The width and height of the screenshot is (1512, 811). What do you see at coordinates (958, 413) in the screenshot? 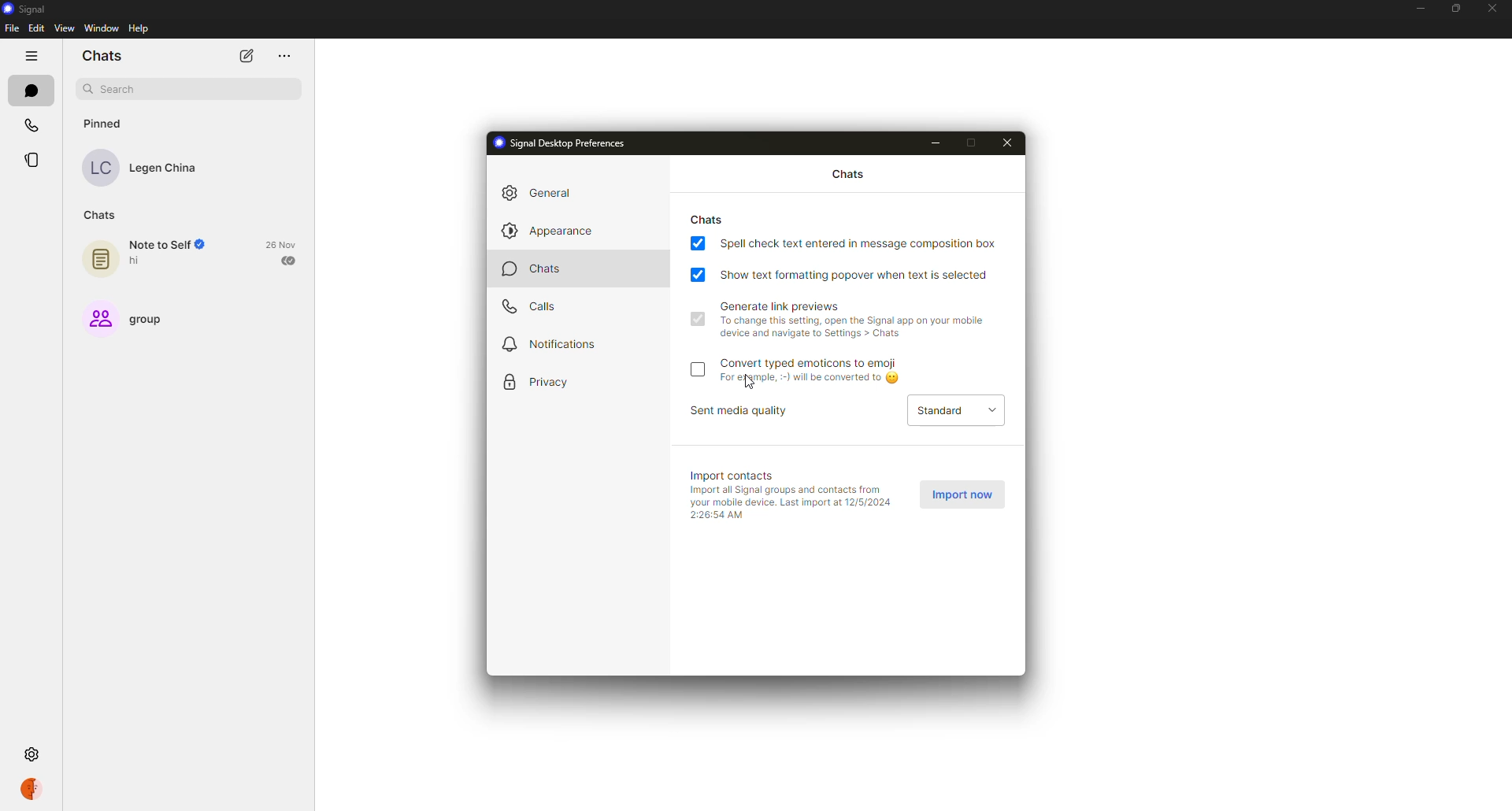
I see `standard` at bounding box center [958, 413].